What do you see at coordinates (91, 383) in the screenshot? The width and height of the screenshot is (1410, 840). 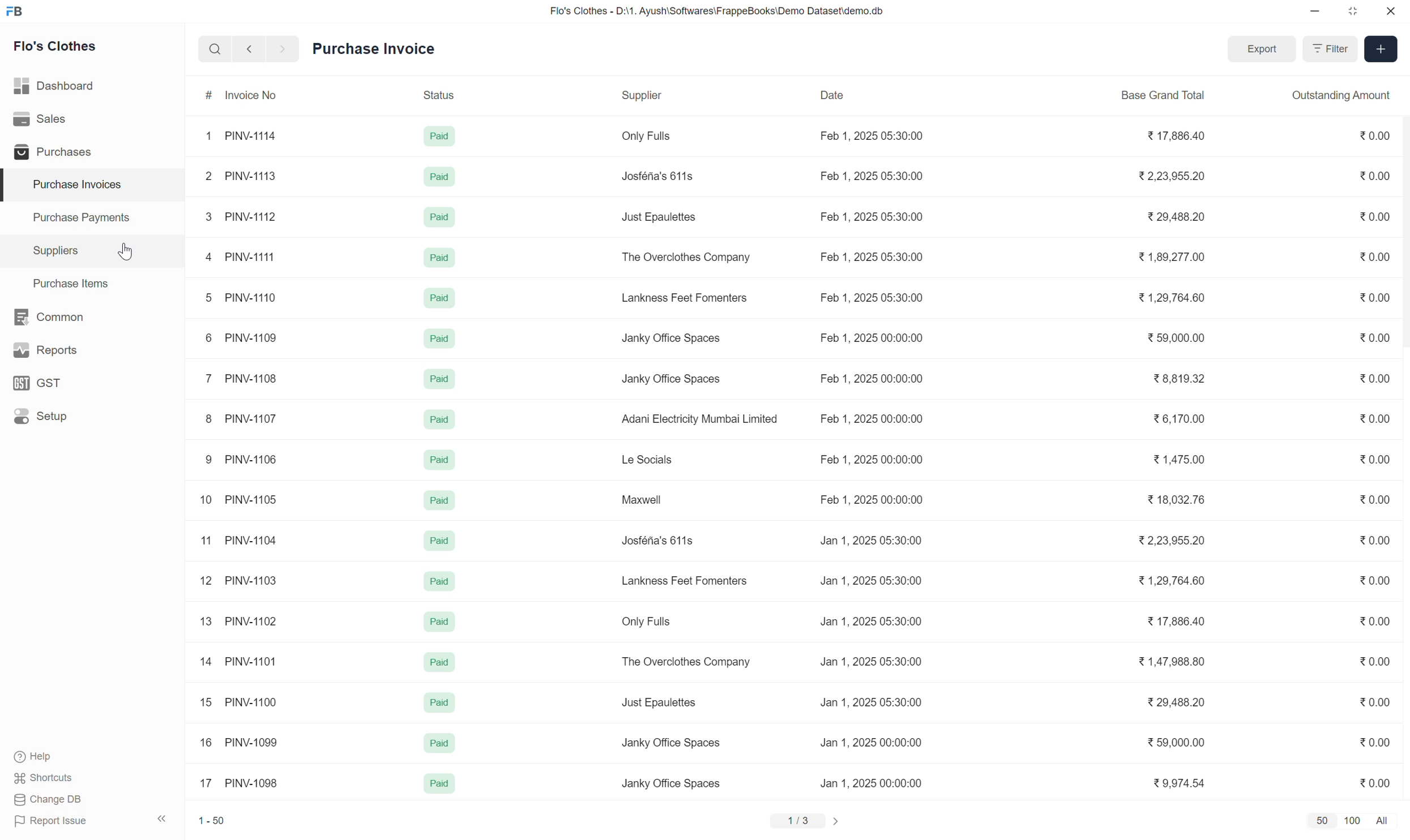 I see `GST` at bounding box center [91, 383].